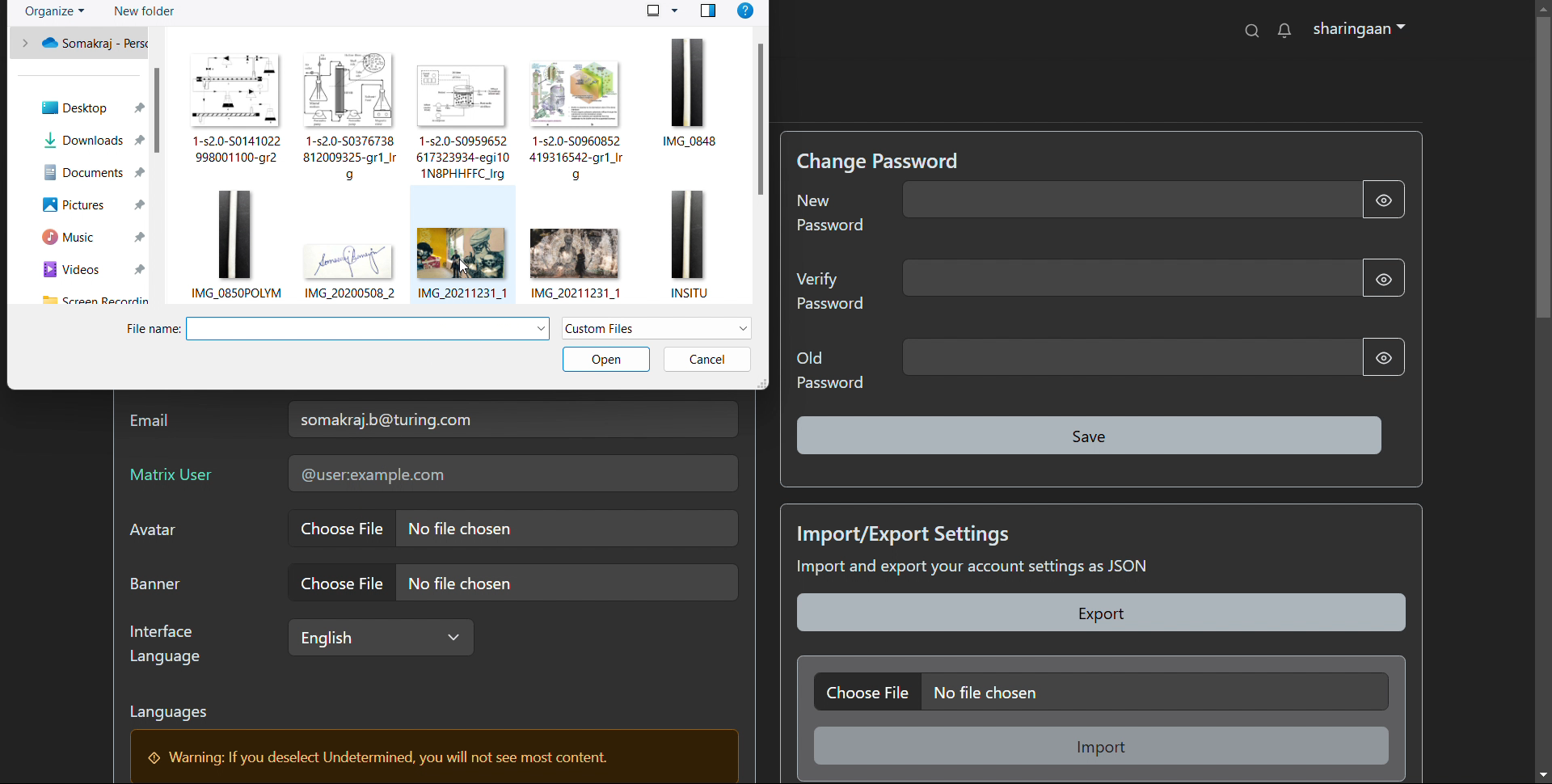 Image resolution: width=1552 pixels, height=784 pixels. I want to click on Videos, so click(94, 271).